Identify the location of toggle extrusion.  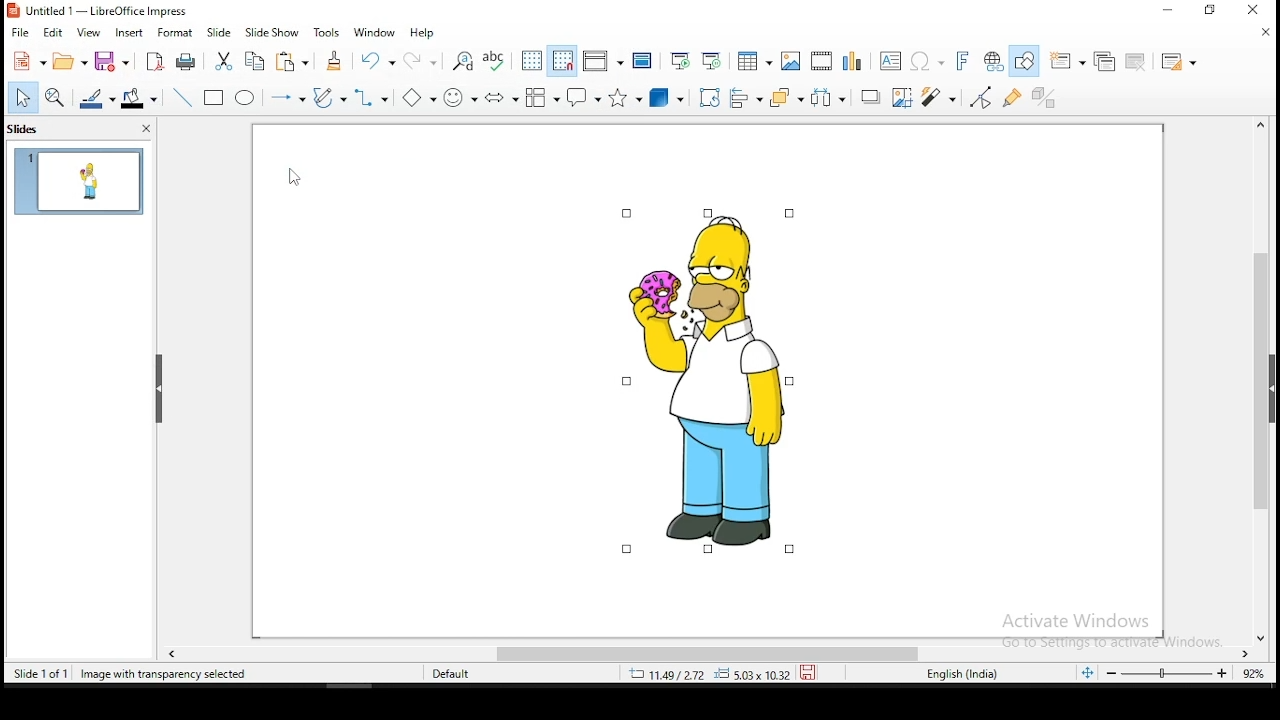
(1045, 99).